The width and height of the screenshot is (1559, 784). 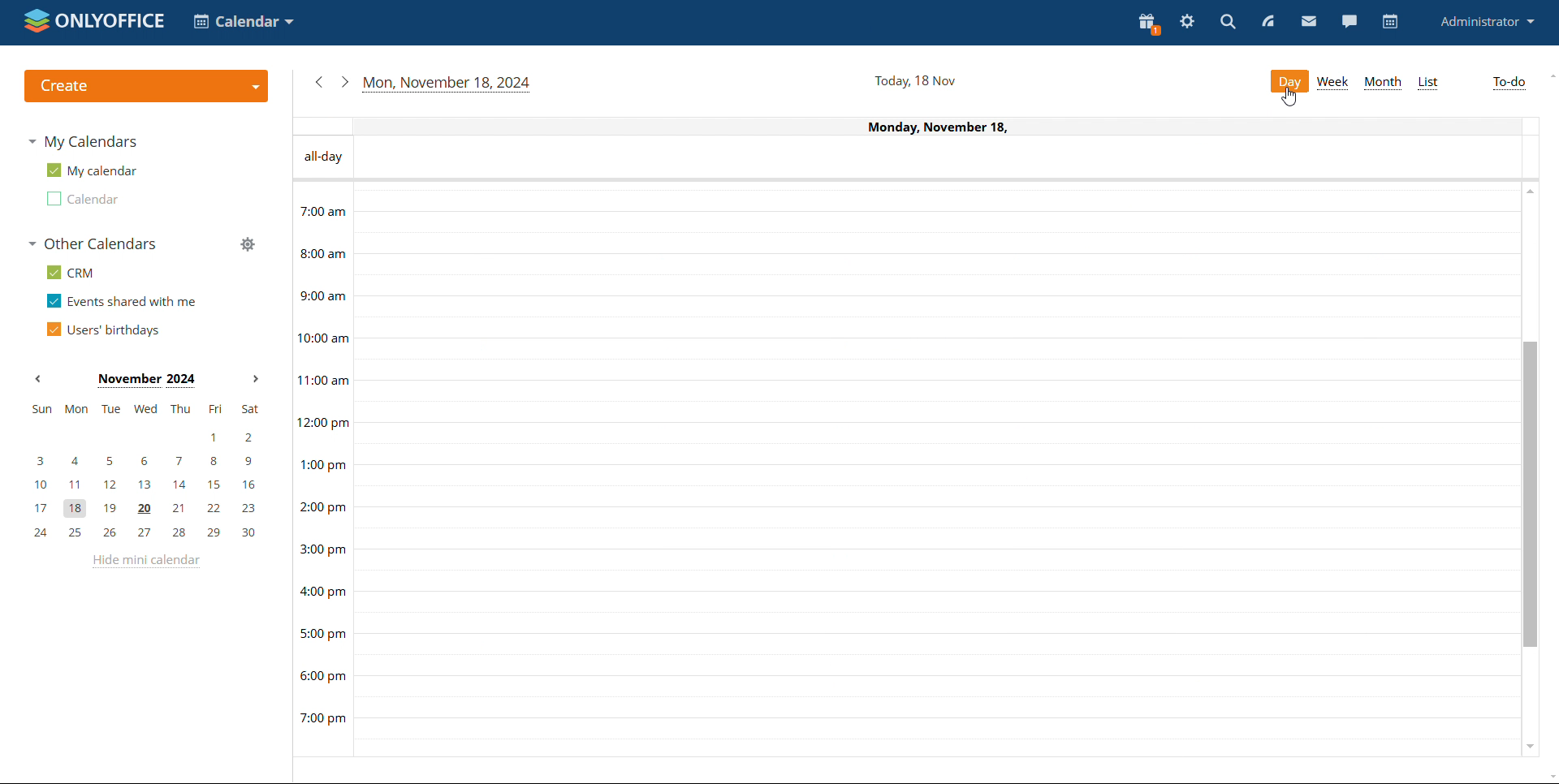 What do you see at coordinates (1487, 23) in the screenshot?
I see `profile` at bounding box center [1487, 23].